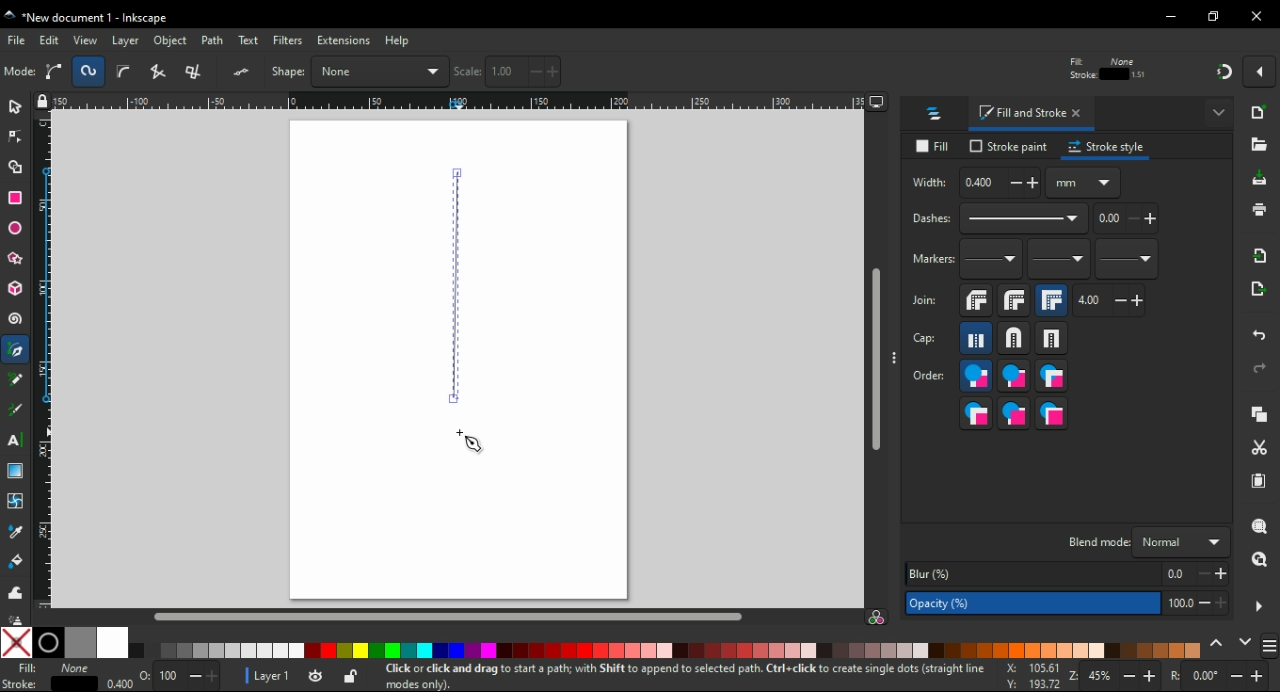 This screenshot has width=1280, height=692. I want to click on spiral tool, so click(17, 319).